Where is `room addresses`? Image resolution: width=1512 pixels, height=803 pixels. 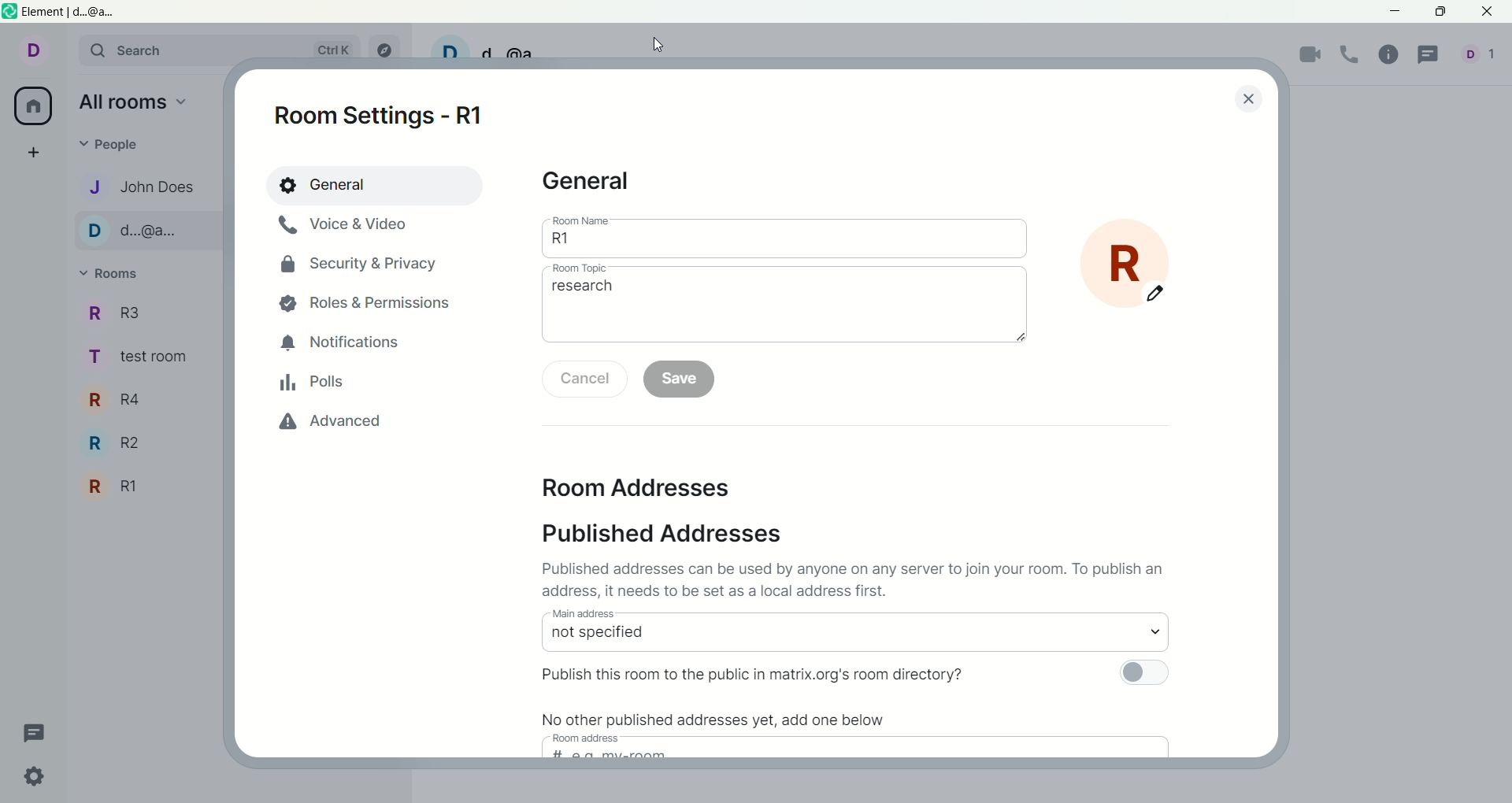 room addresses is located at coordinates (637, 487).